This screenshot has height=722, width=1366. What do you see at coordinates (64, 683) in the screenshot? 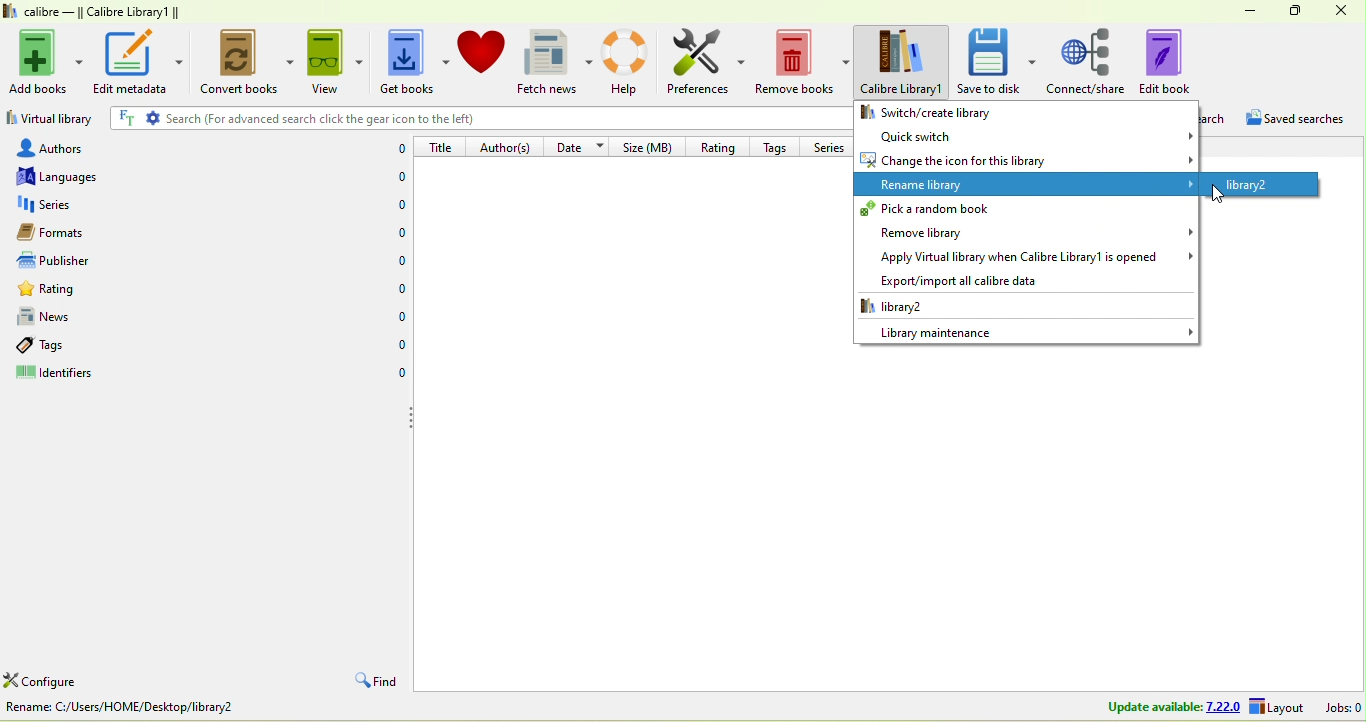
I see `configue` at bounding box center [64, 683].